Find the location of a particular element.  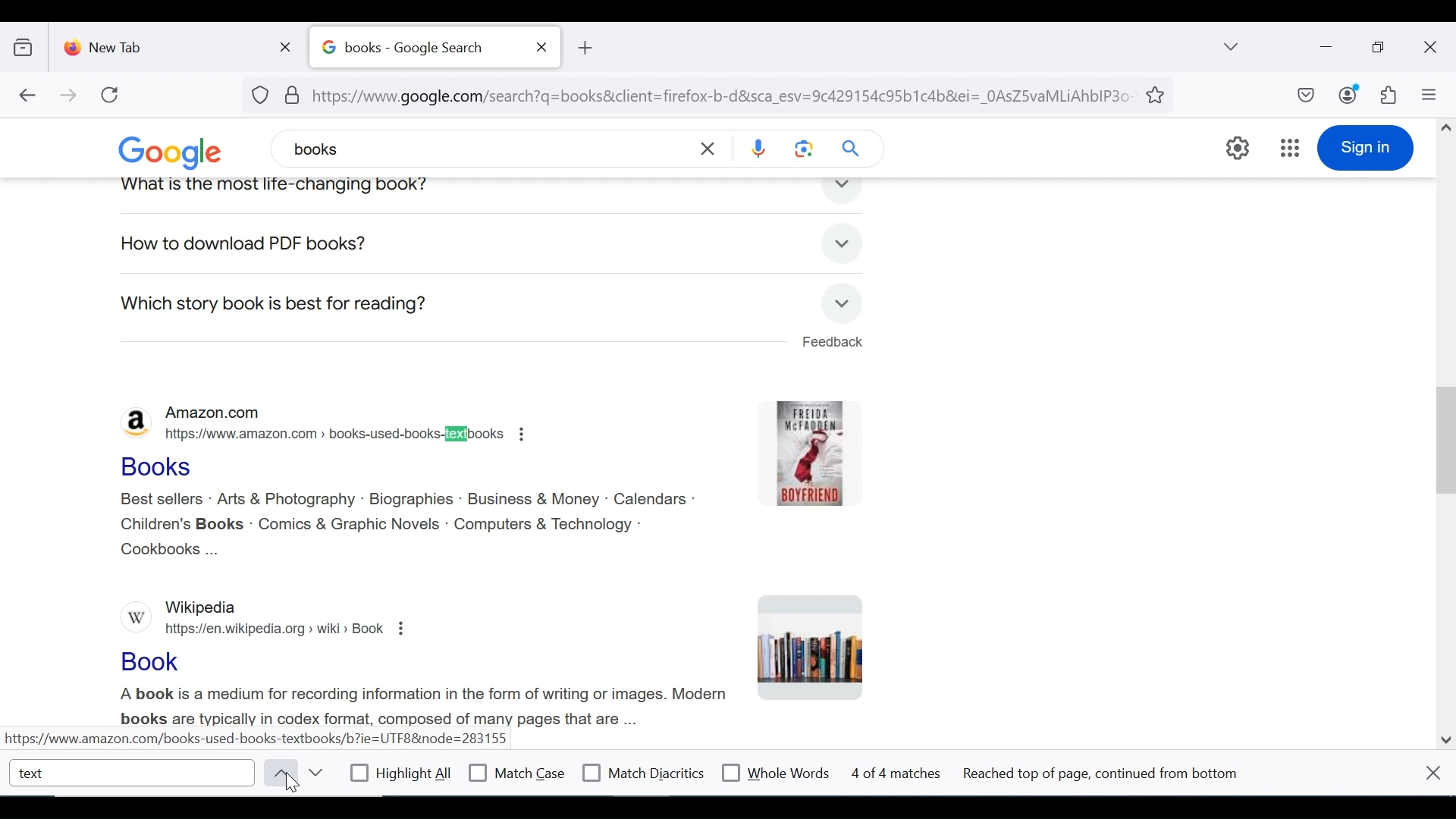

save to pocket is located at coordinates (1304, 96).